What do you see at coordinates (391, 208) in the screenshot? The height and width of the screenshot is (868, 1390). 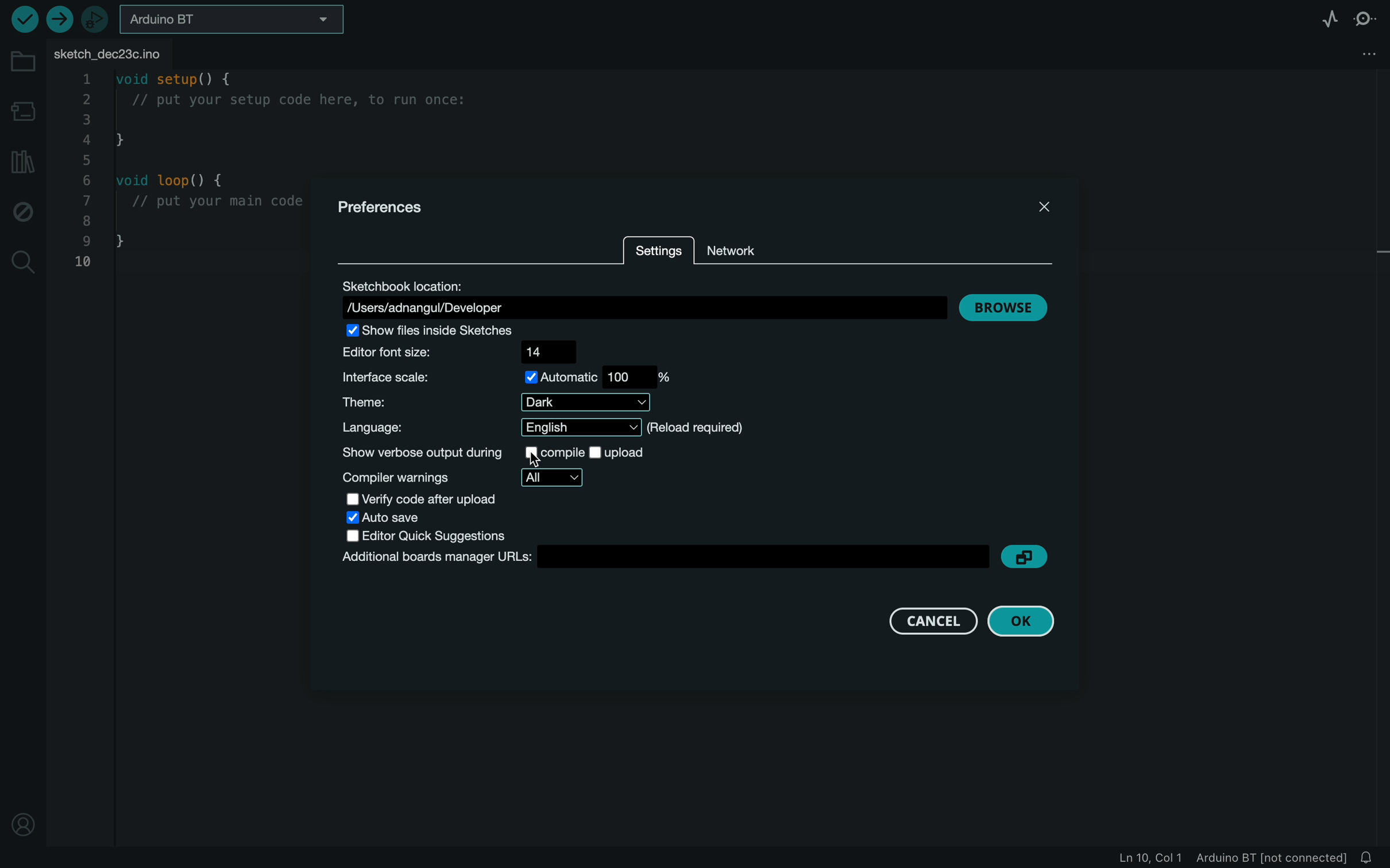 I see `prefernces` at bounding box center [391, 208].